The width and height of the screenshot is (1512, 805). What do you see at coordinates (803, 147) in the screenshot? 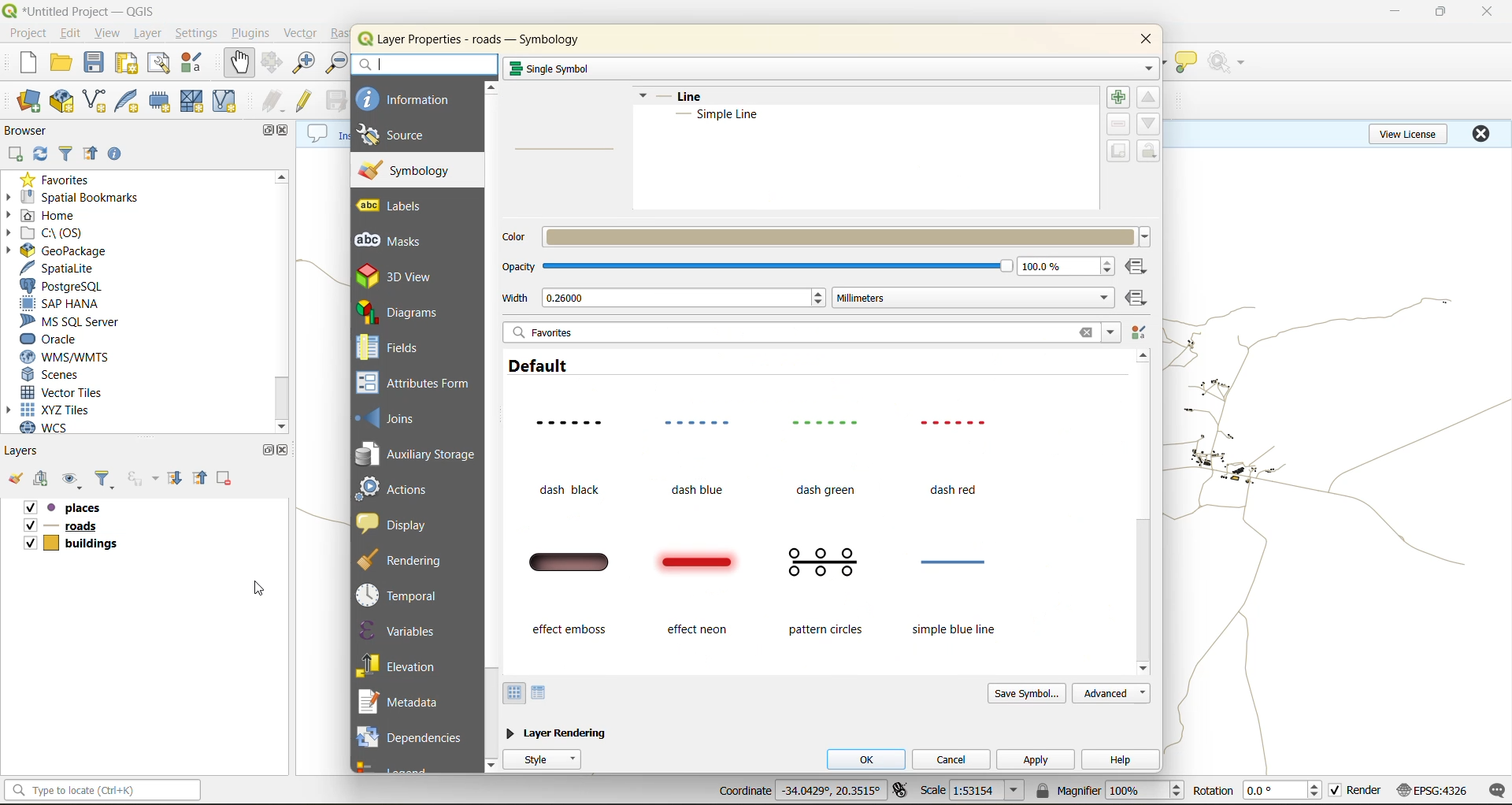
I see `layer metadata` at bounding box center [803, 147].